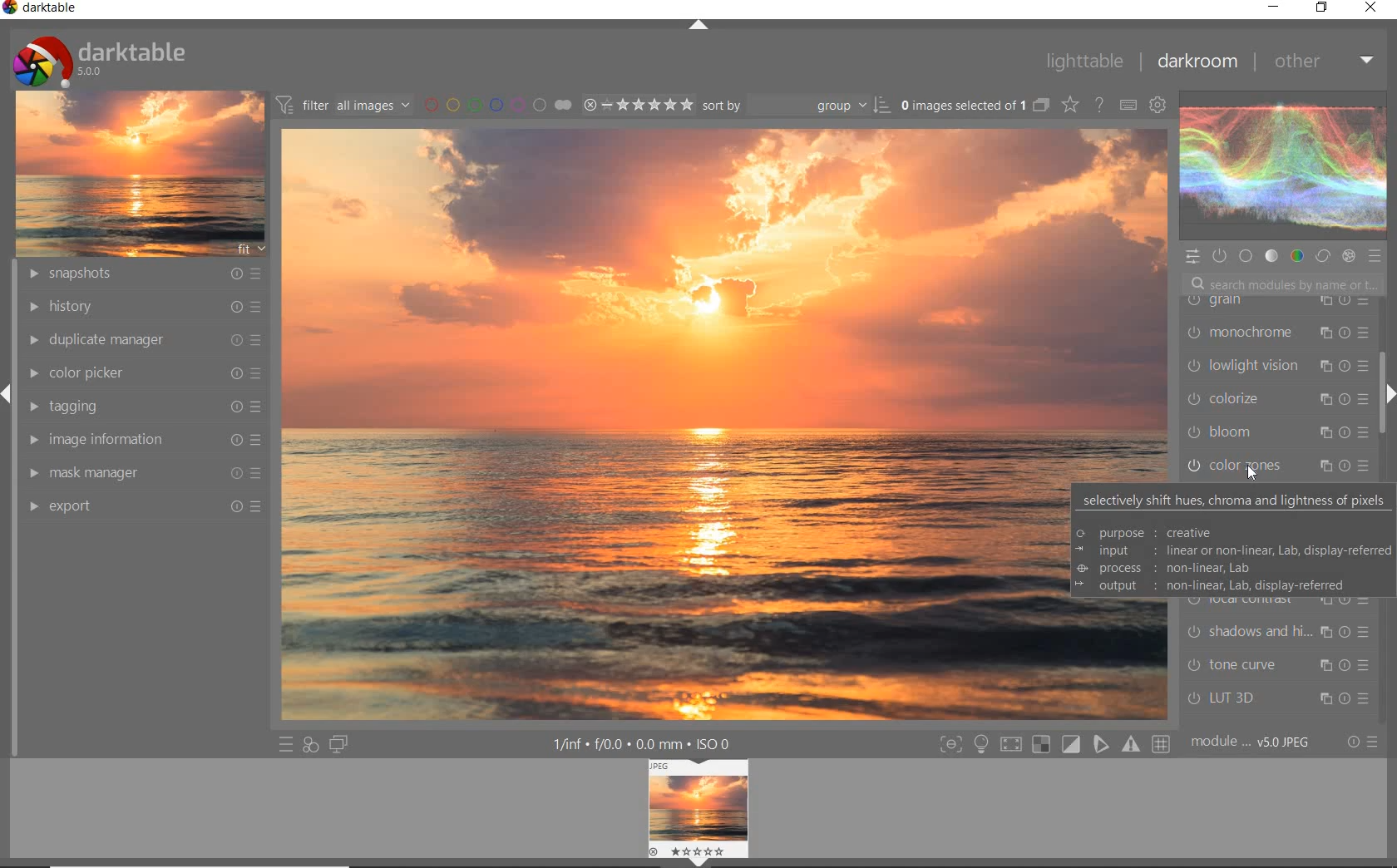 The image size is (1397, 868). What do you see at coordinates (1374, 9) in the screenshot?
I see `close` at bounding box center [1374, 9].